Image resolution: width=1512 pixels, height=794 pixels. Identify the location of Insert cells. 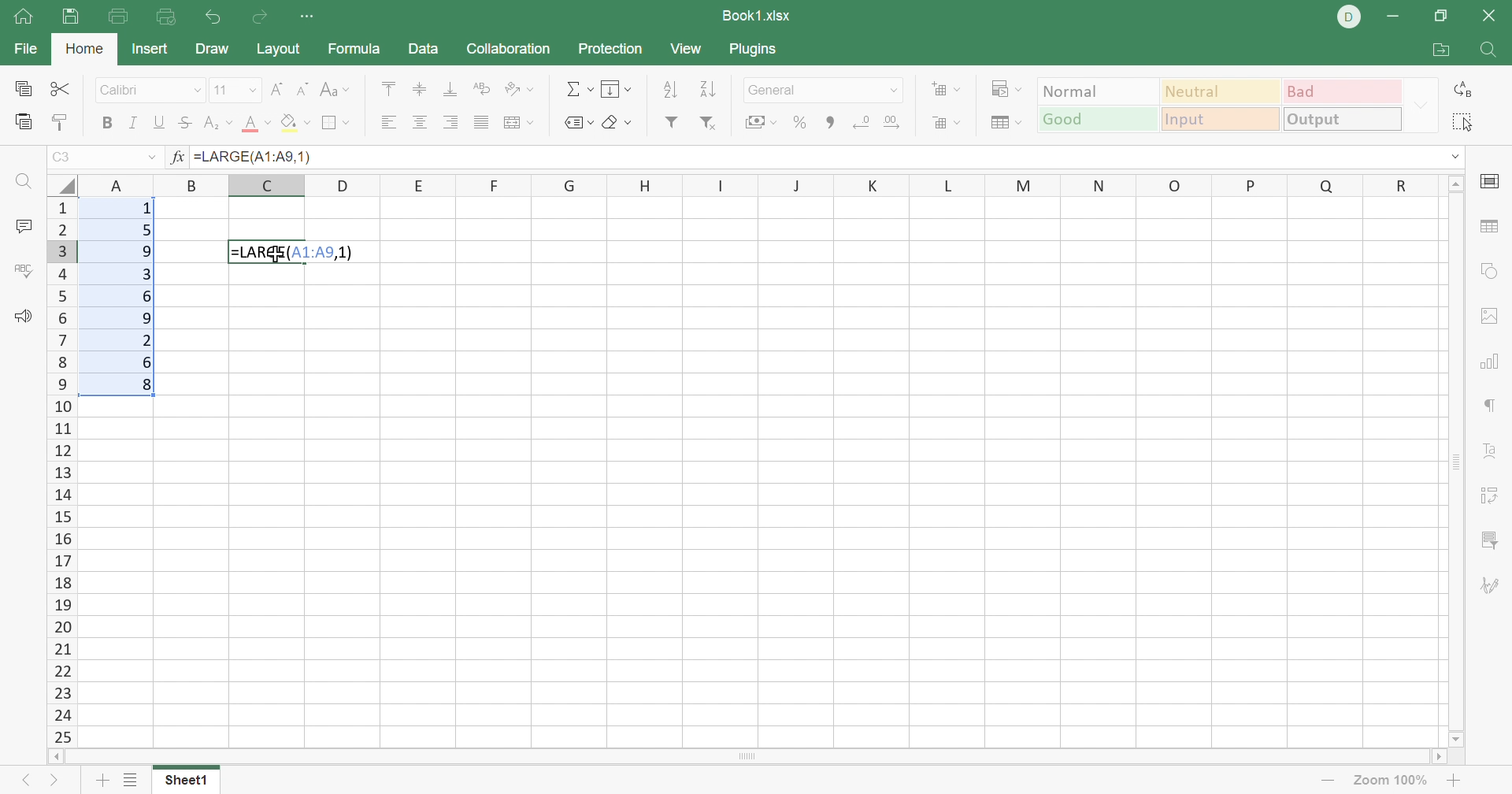
(948, 90).